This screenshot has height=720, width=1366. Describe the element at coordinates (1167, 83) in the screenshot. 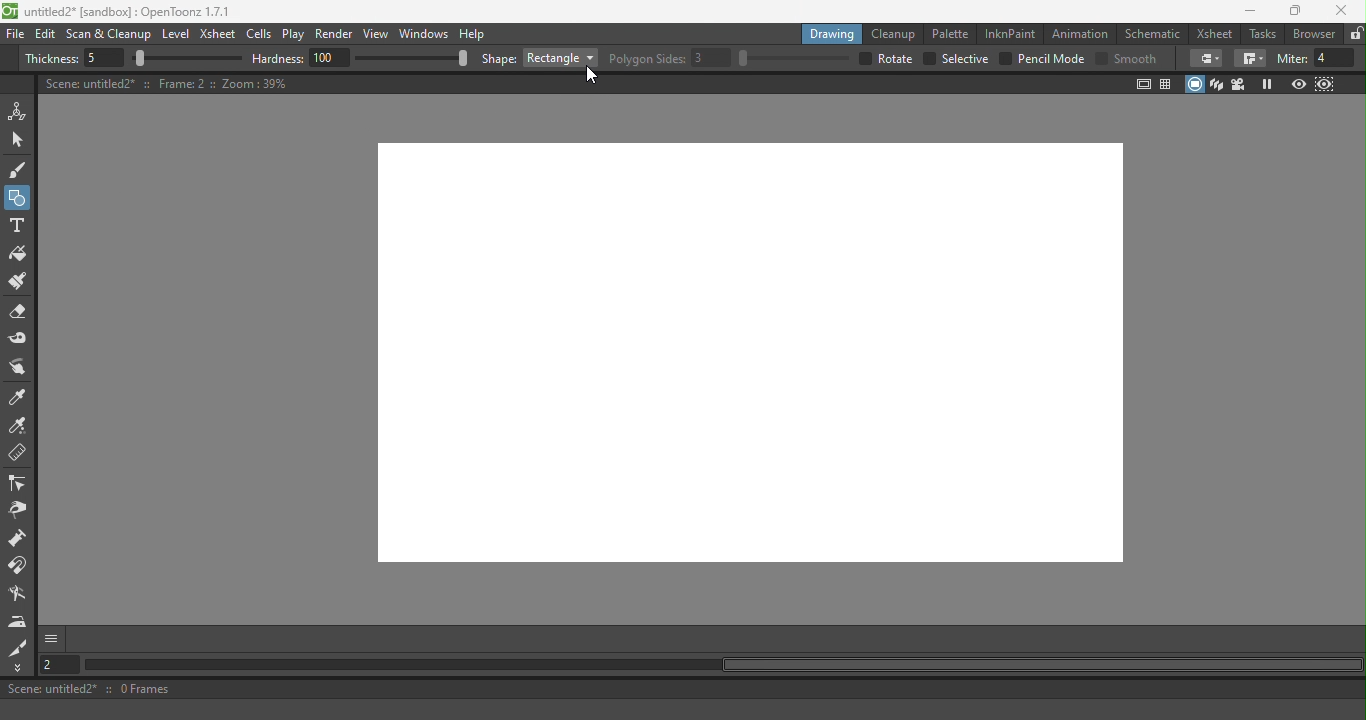

I see `Field guide` at that location.